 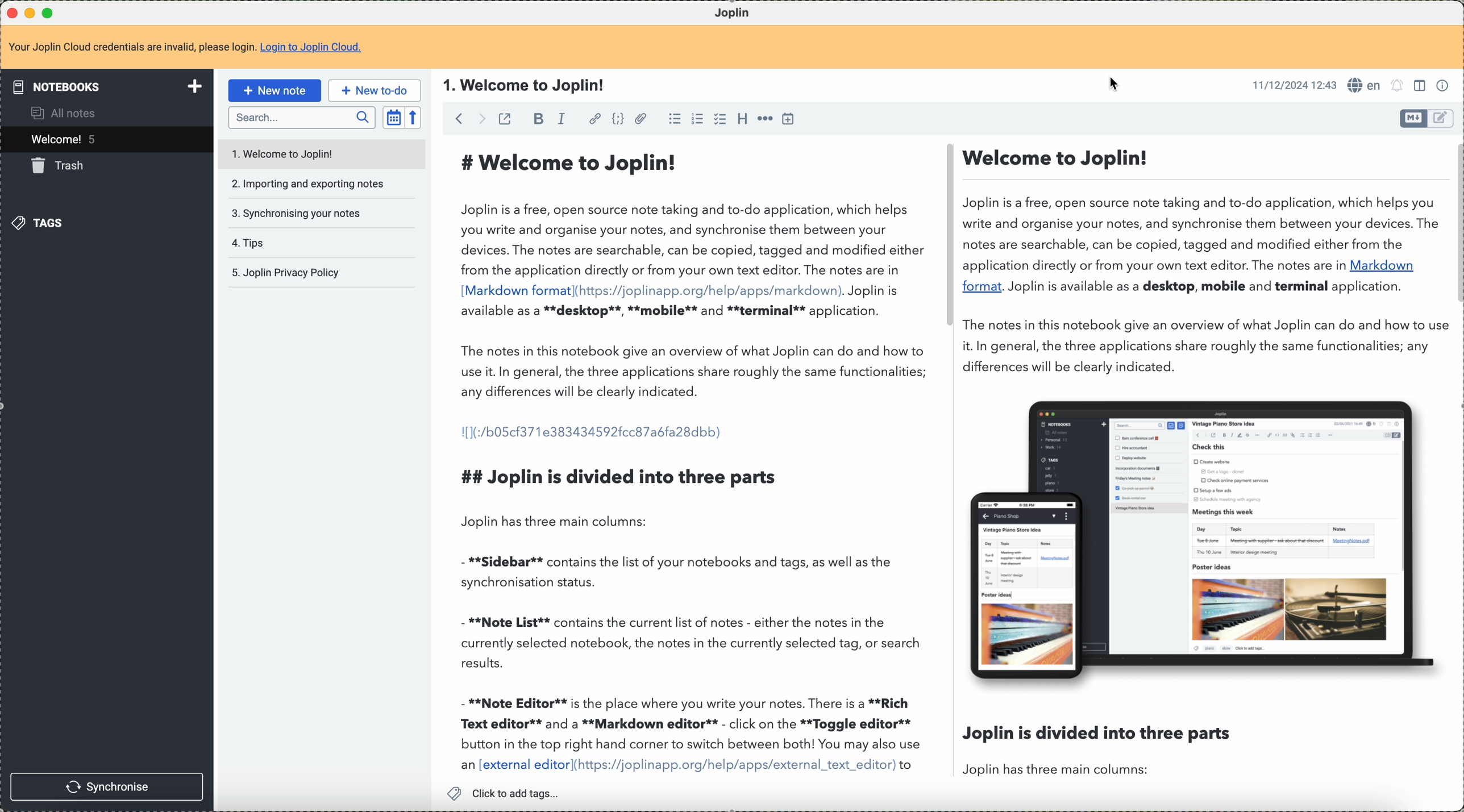 I want to click on click to add tags, so click(x=509, y=793).